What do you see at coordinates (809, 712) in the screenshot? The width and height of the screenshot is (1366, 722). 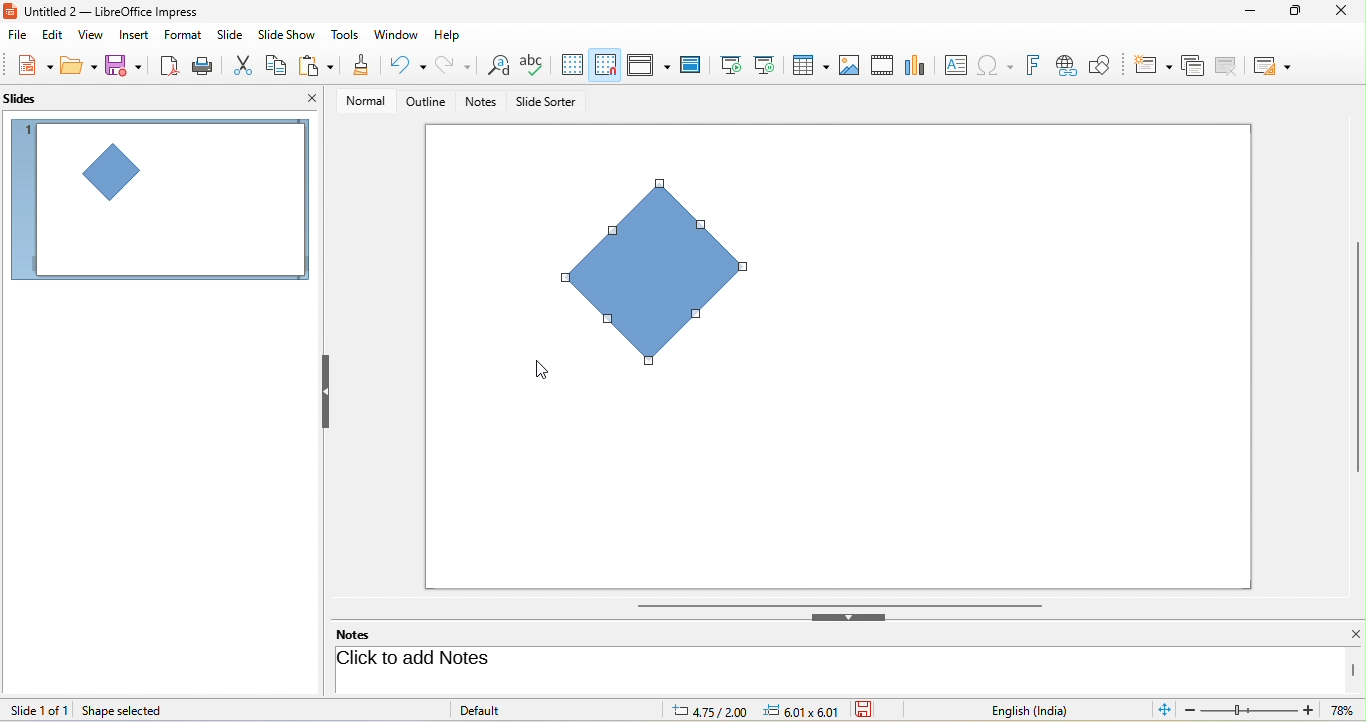 I see `object position-6.01x6.01` at bounding box center [809, 712].